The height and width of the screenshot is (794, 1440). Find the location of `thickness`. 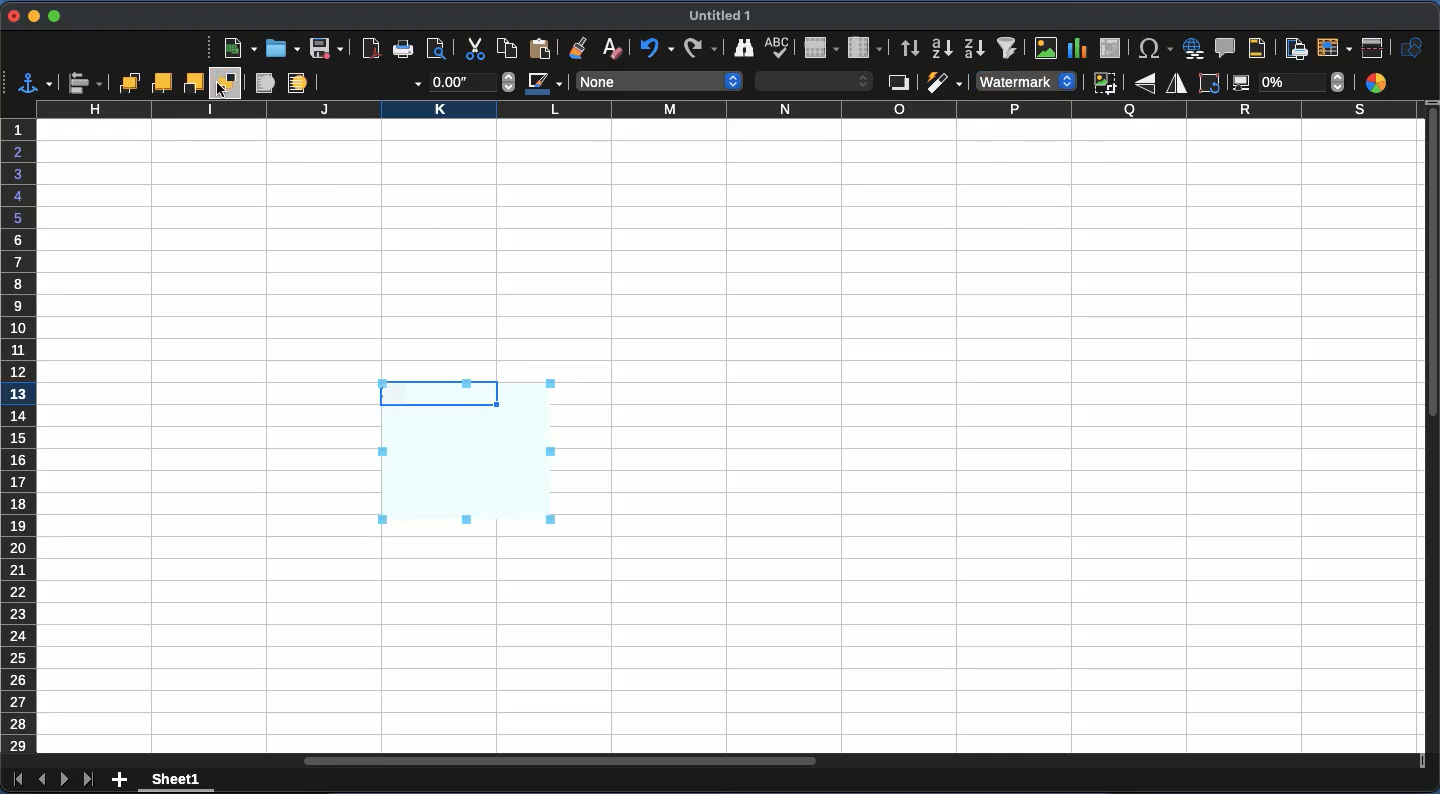

thickness is located at coordinates (472, 81).